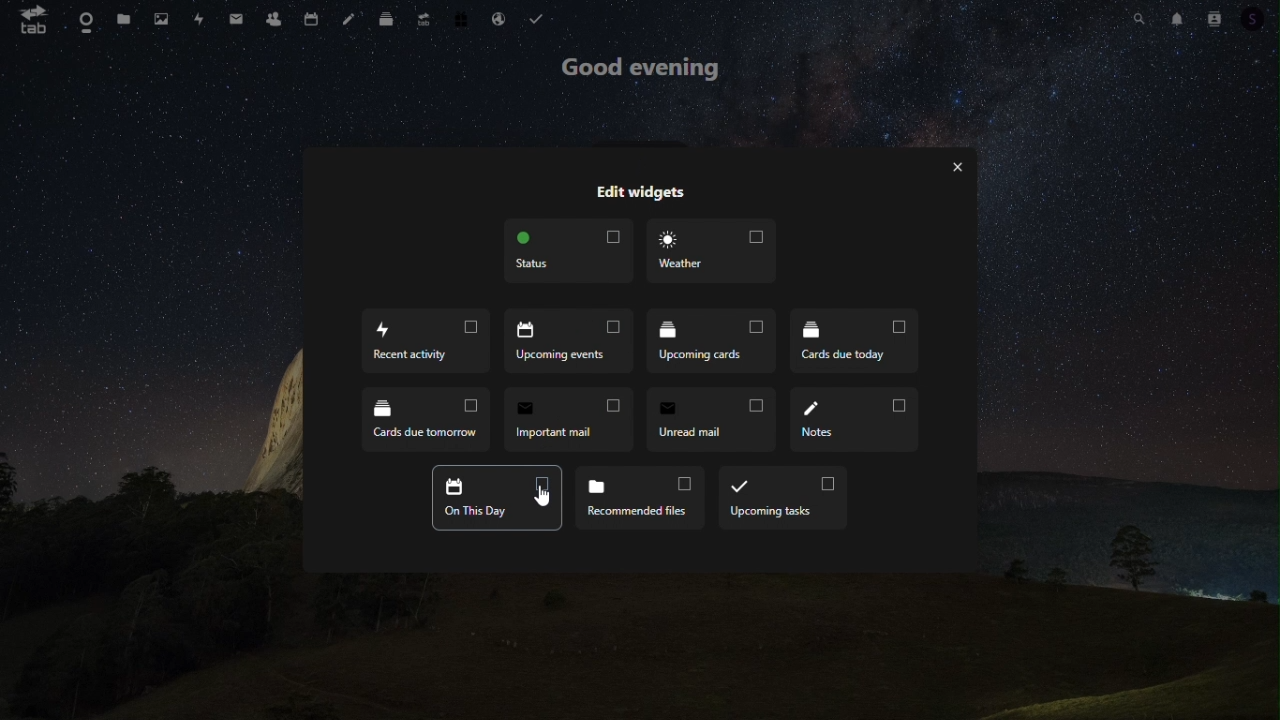  Describe the element at coordinates (463, 18) in the screenshot. I see `free trial` at that location.